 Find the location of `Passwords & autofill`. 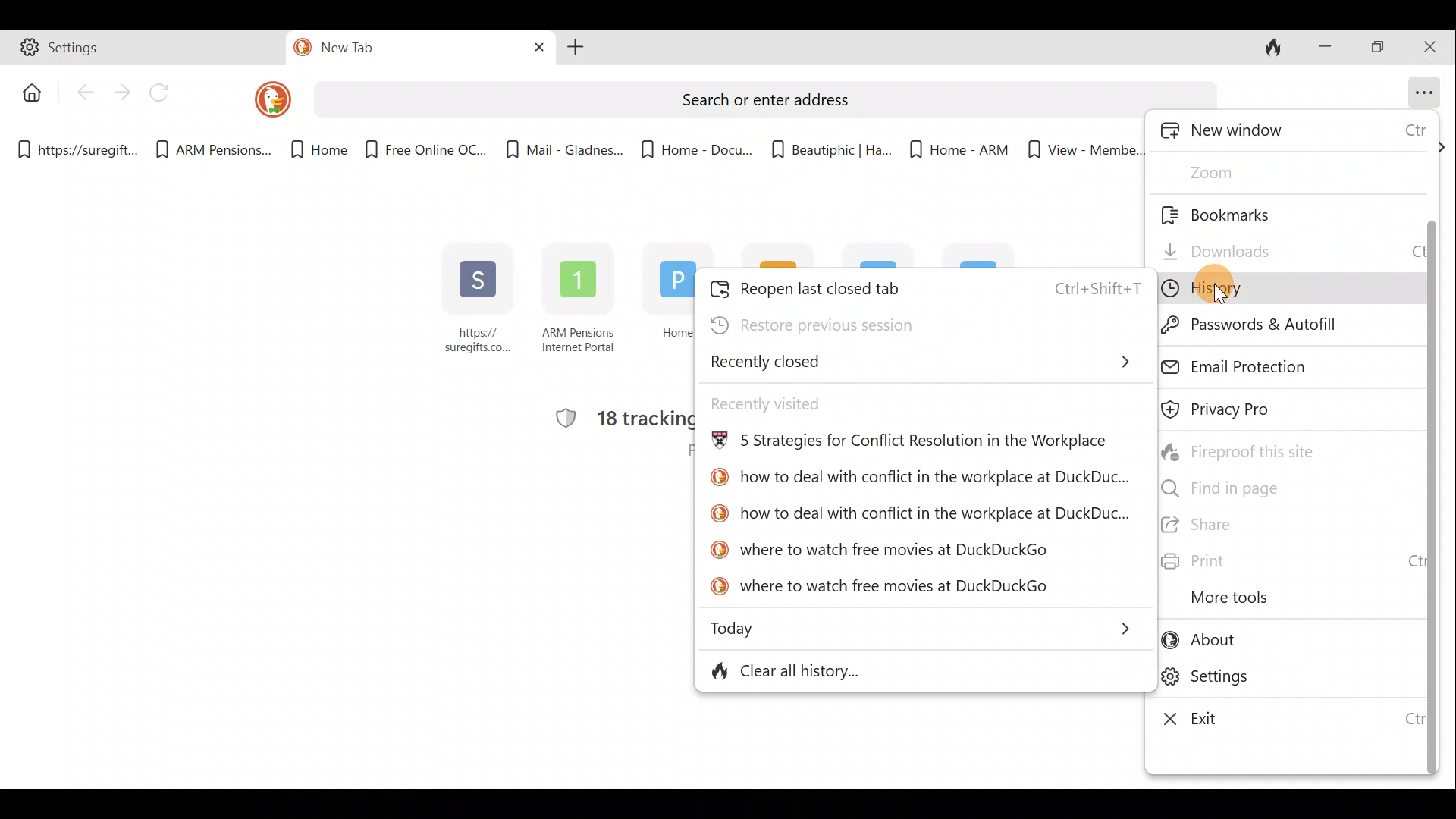

Passwords & autofill is located at coordinates (1275, 325).